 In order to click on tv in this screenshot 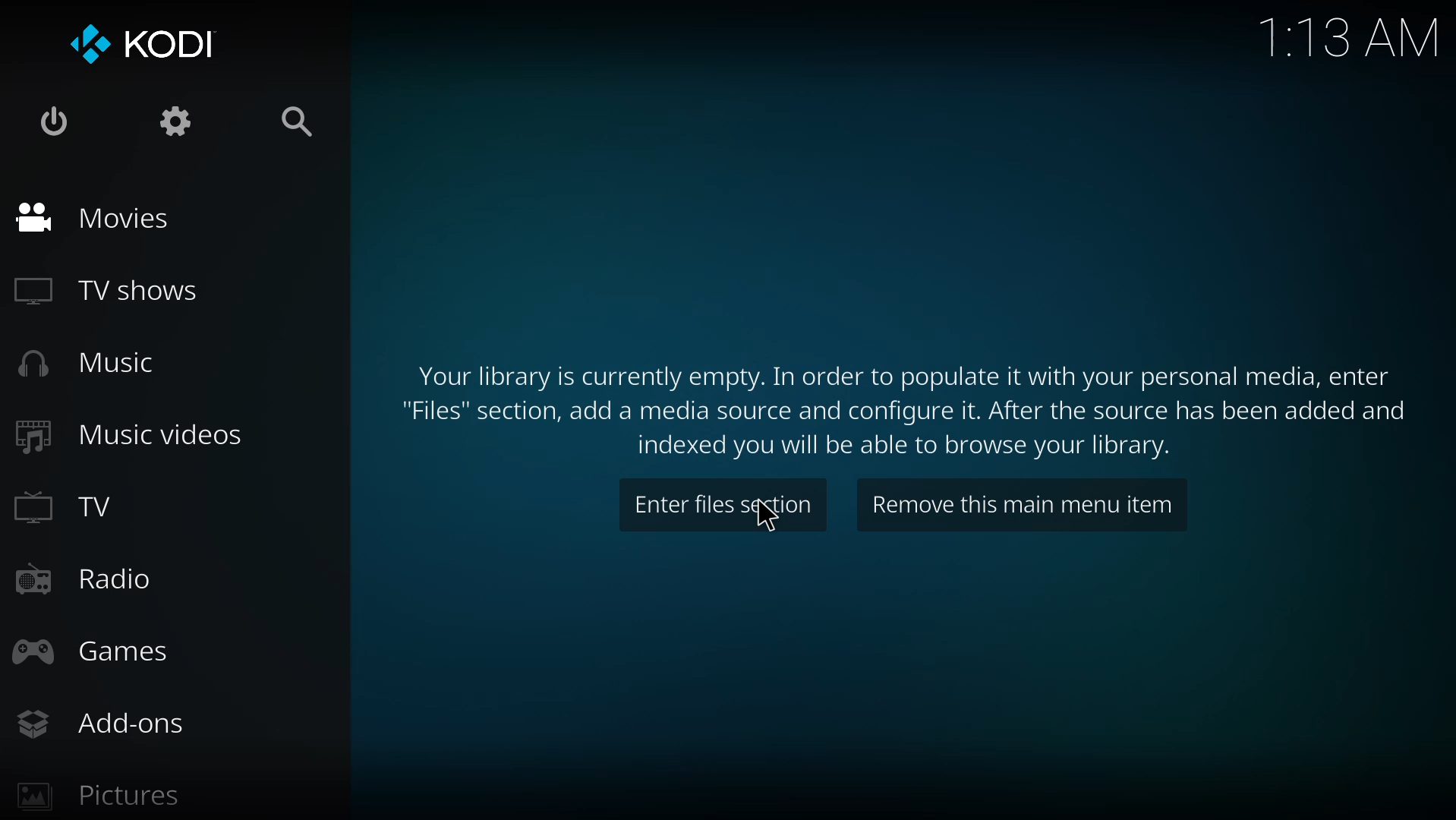, I will do `click(70, 507)`.